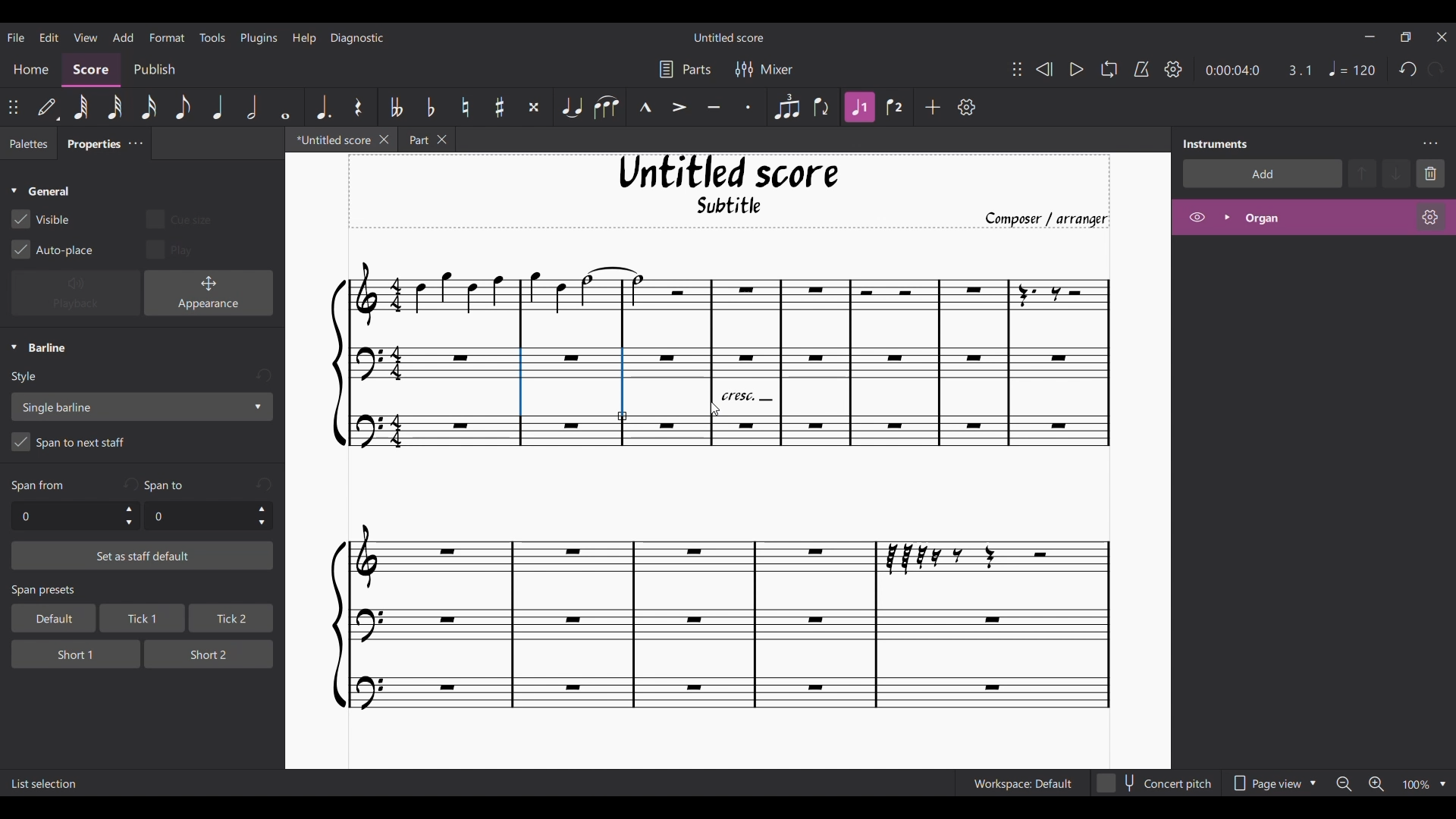 The height and width of the screenshot is (819, 1456). What do you see at coordinates (141, 406) in the screenshot?
I see `single barline` at bounding box center [141, 406].